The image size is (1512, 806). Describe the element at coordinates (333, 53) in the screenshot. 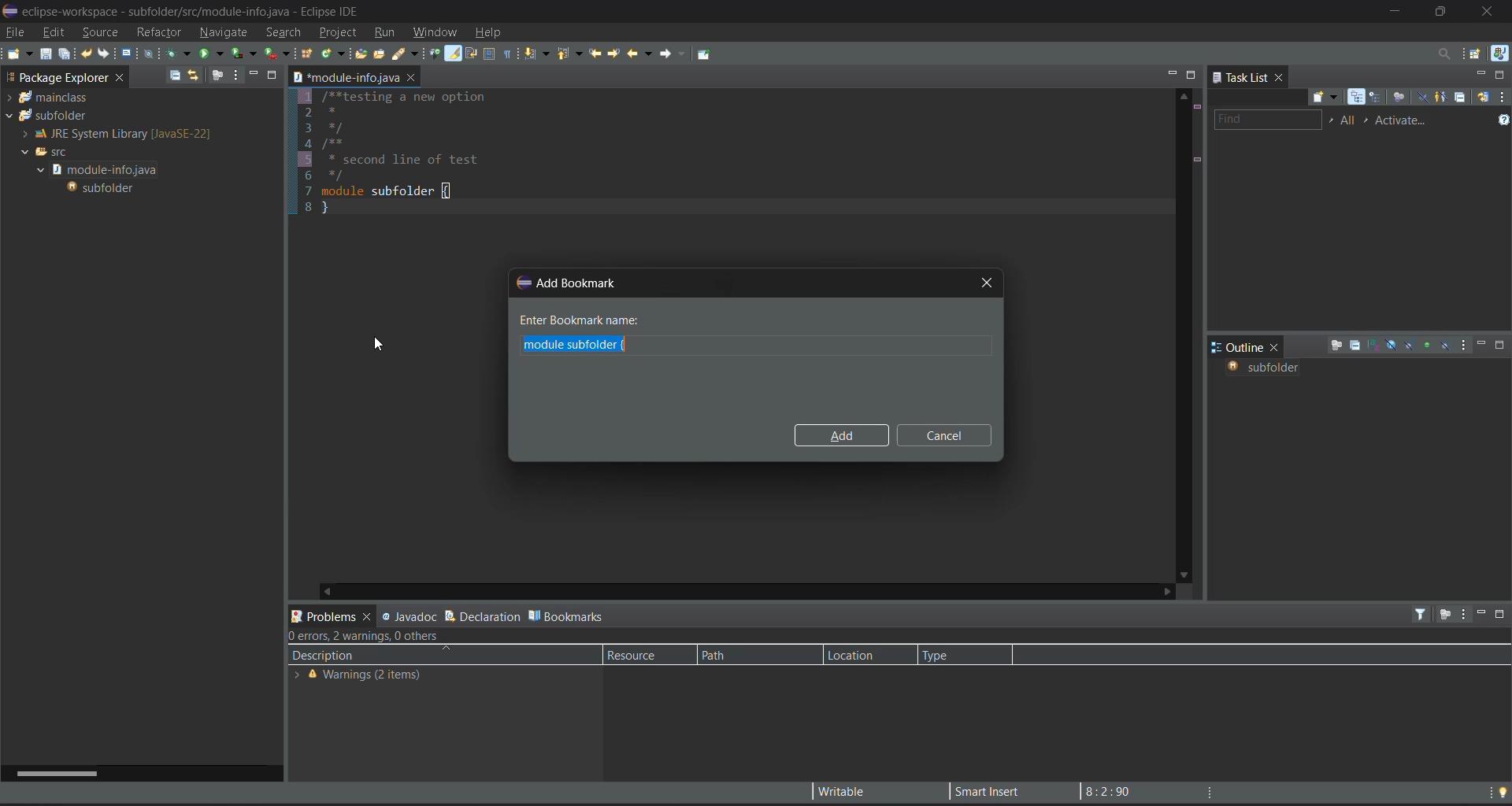

I see `new java class` at that location.